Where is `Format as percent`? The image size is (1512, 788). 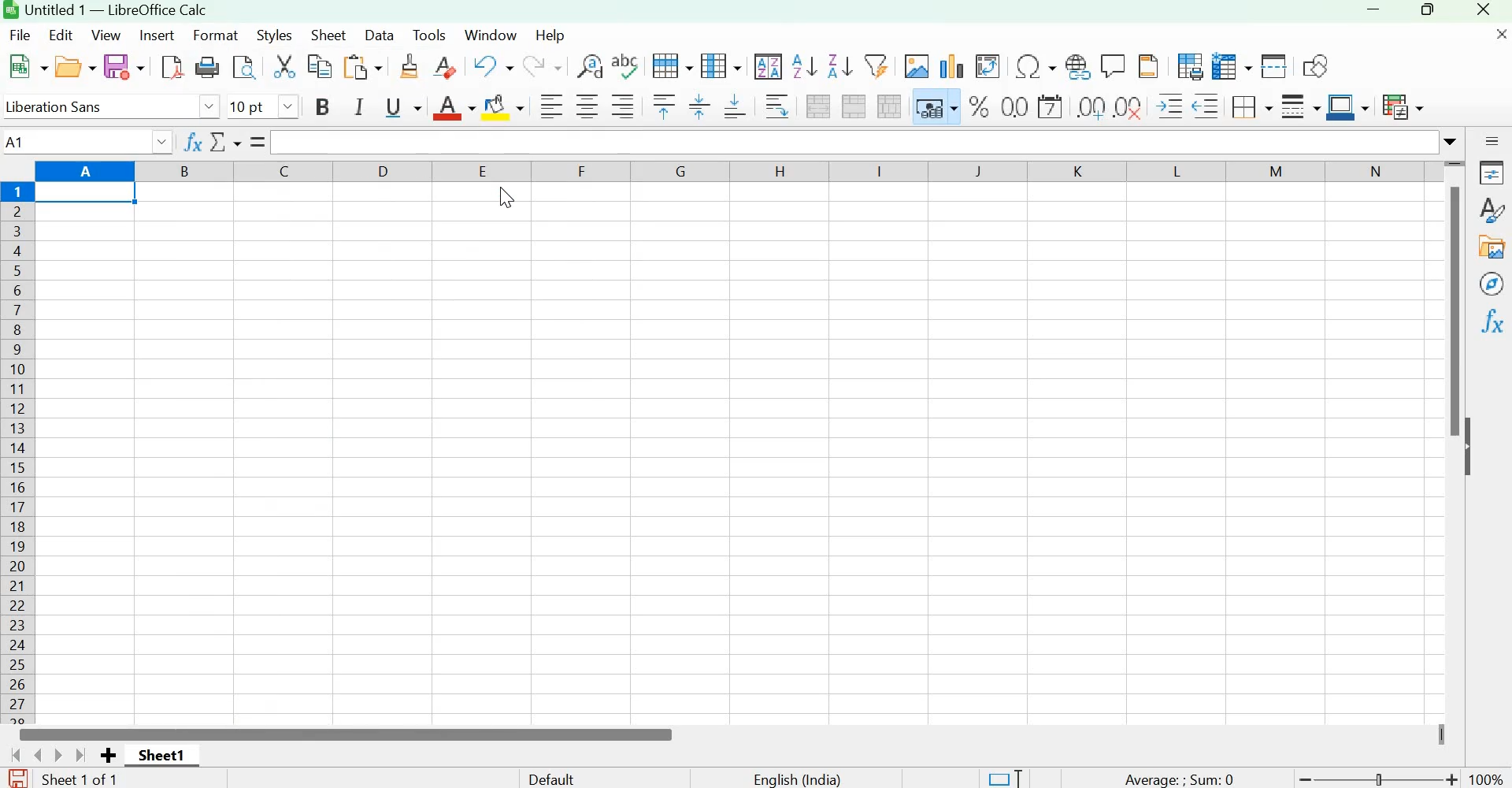
Format as percent is located at coordinates (979, 106).